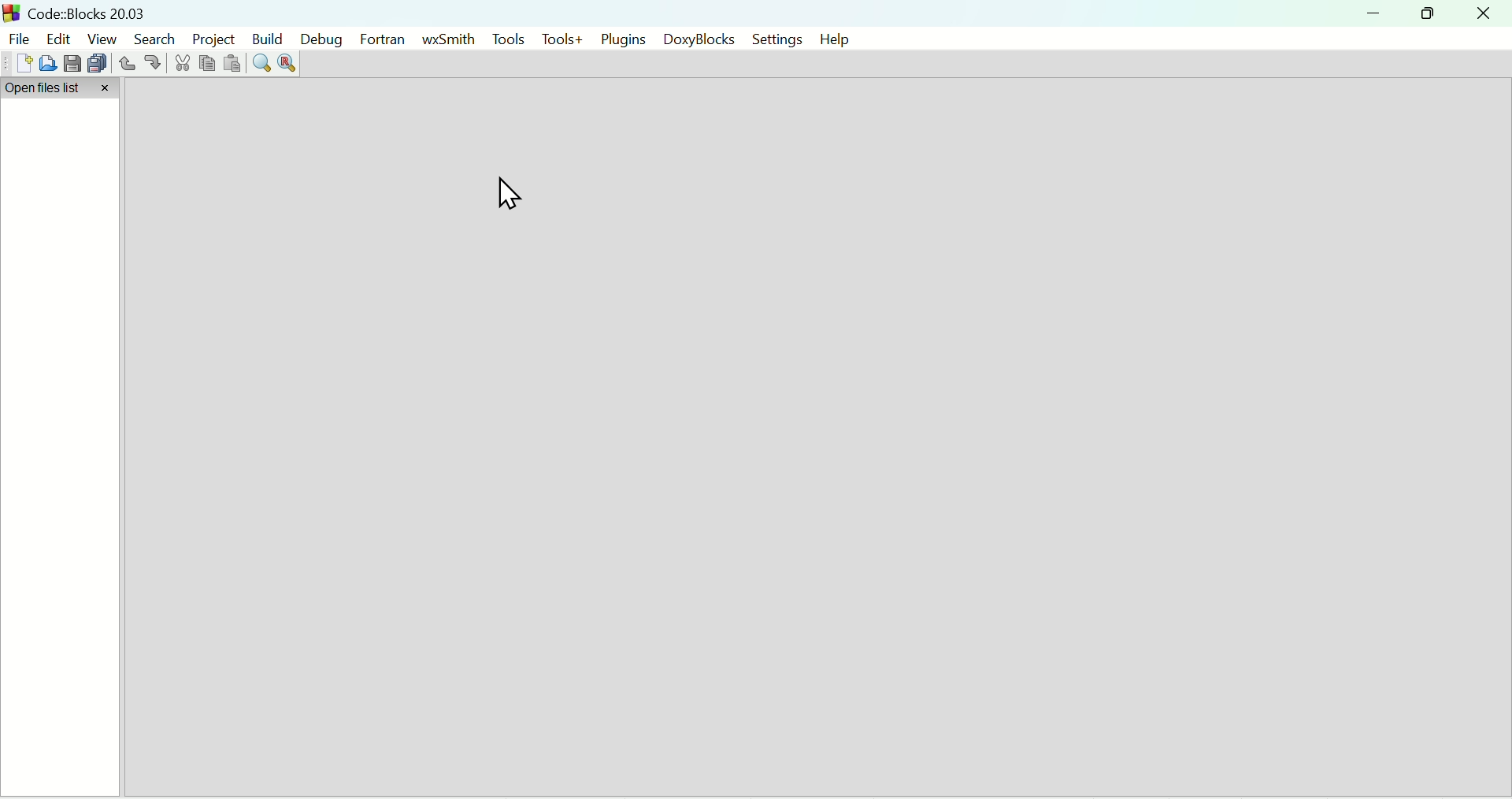  I want to click on Paste, so click(230, 65).